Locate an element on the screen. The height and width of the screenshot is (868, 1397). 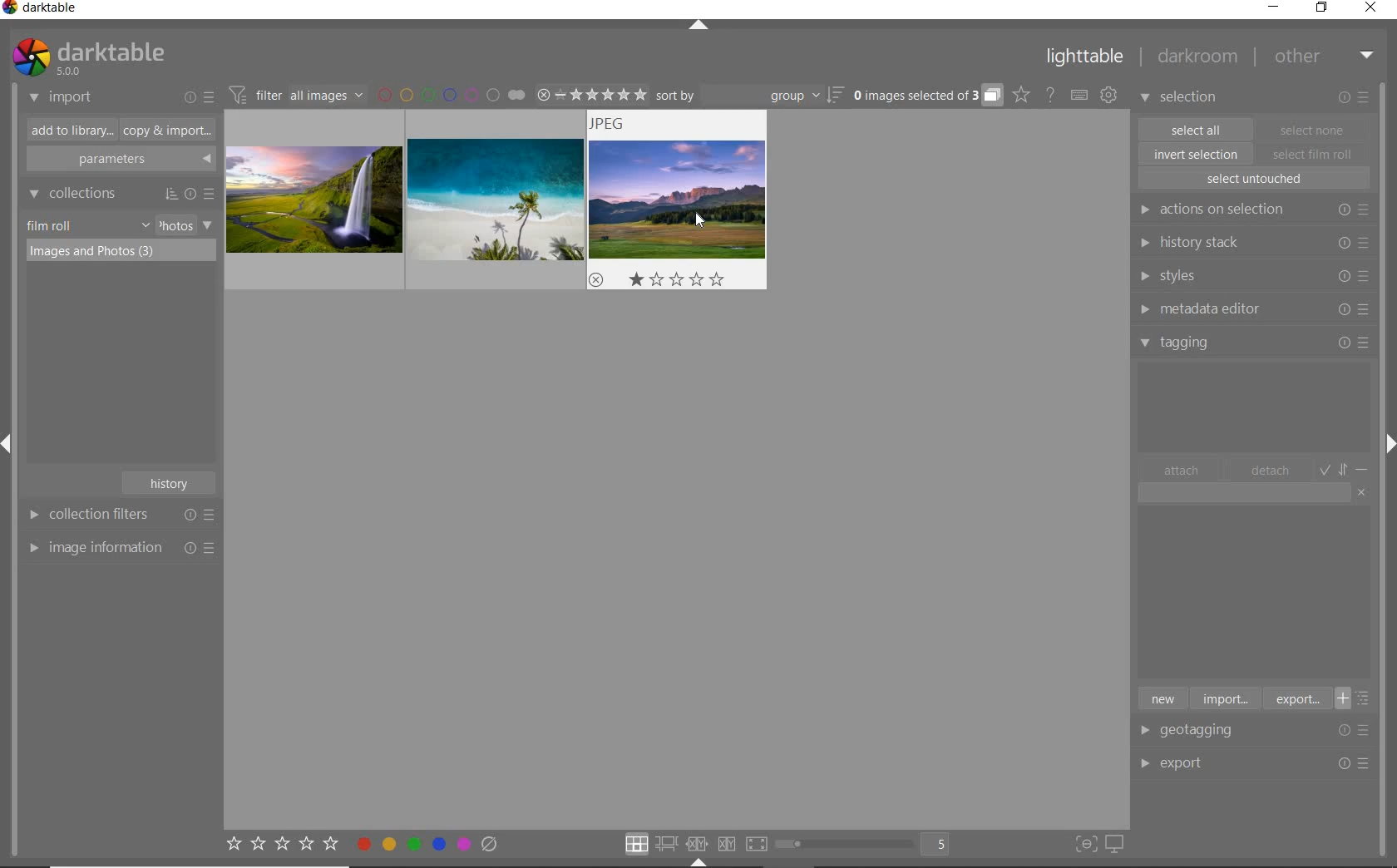
filter images based on their module order is located at coordinates (294, 93).